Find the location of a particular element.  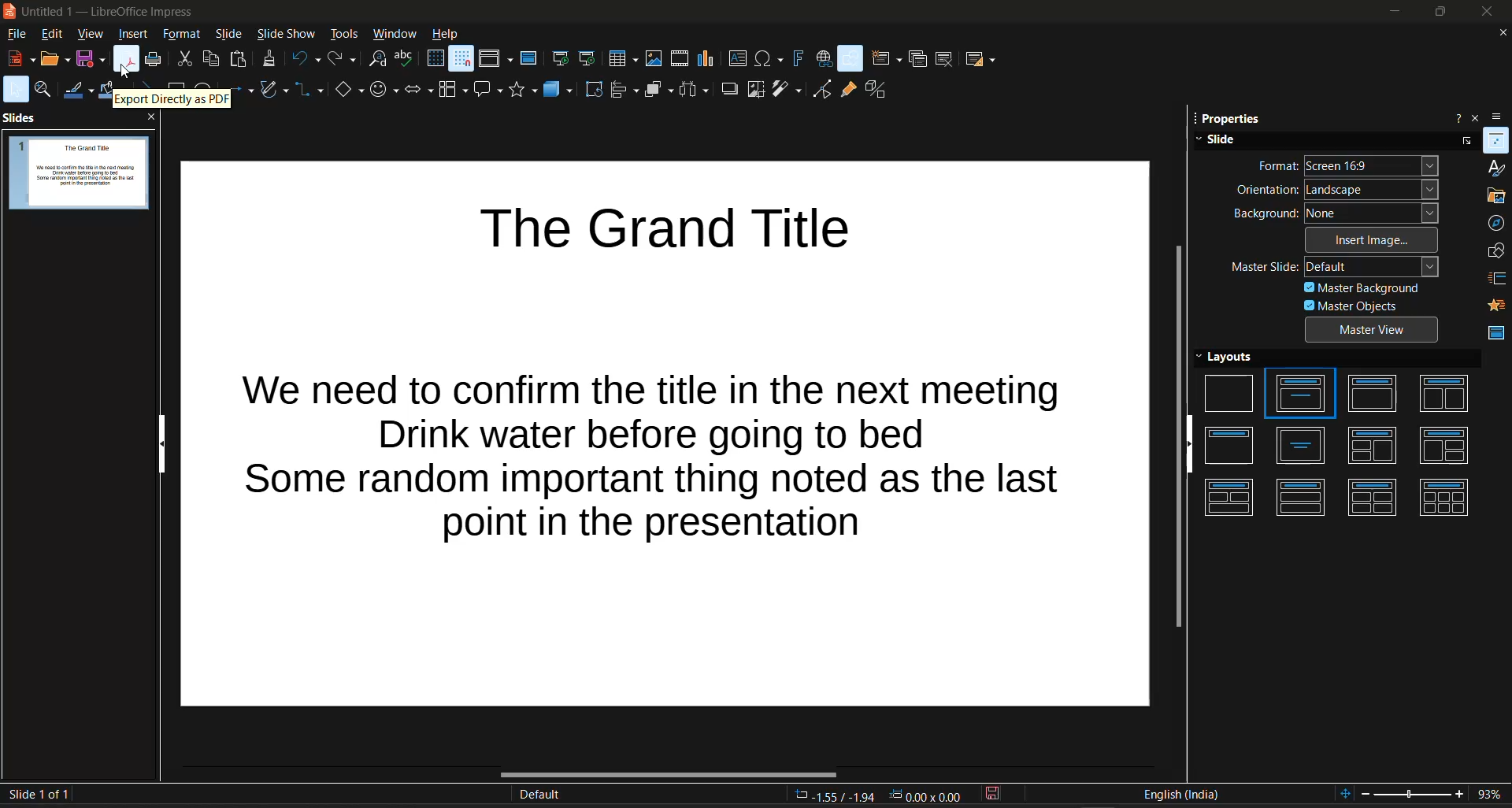

zoom out is located at coordinates (1367, 794).